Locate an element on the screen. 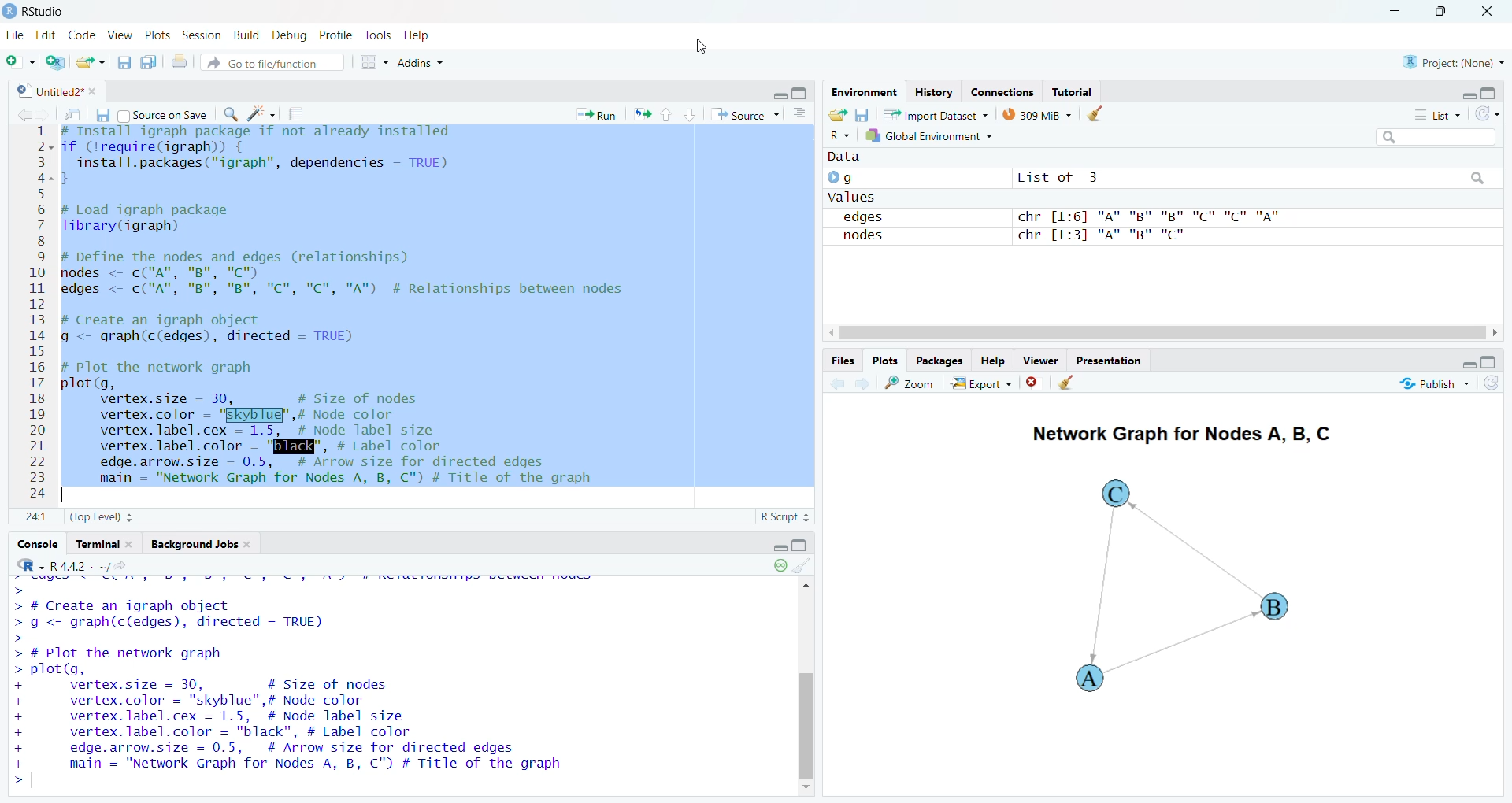 This screenshot has height=803, width=1512. Packages is located at coordinates (937, 361).